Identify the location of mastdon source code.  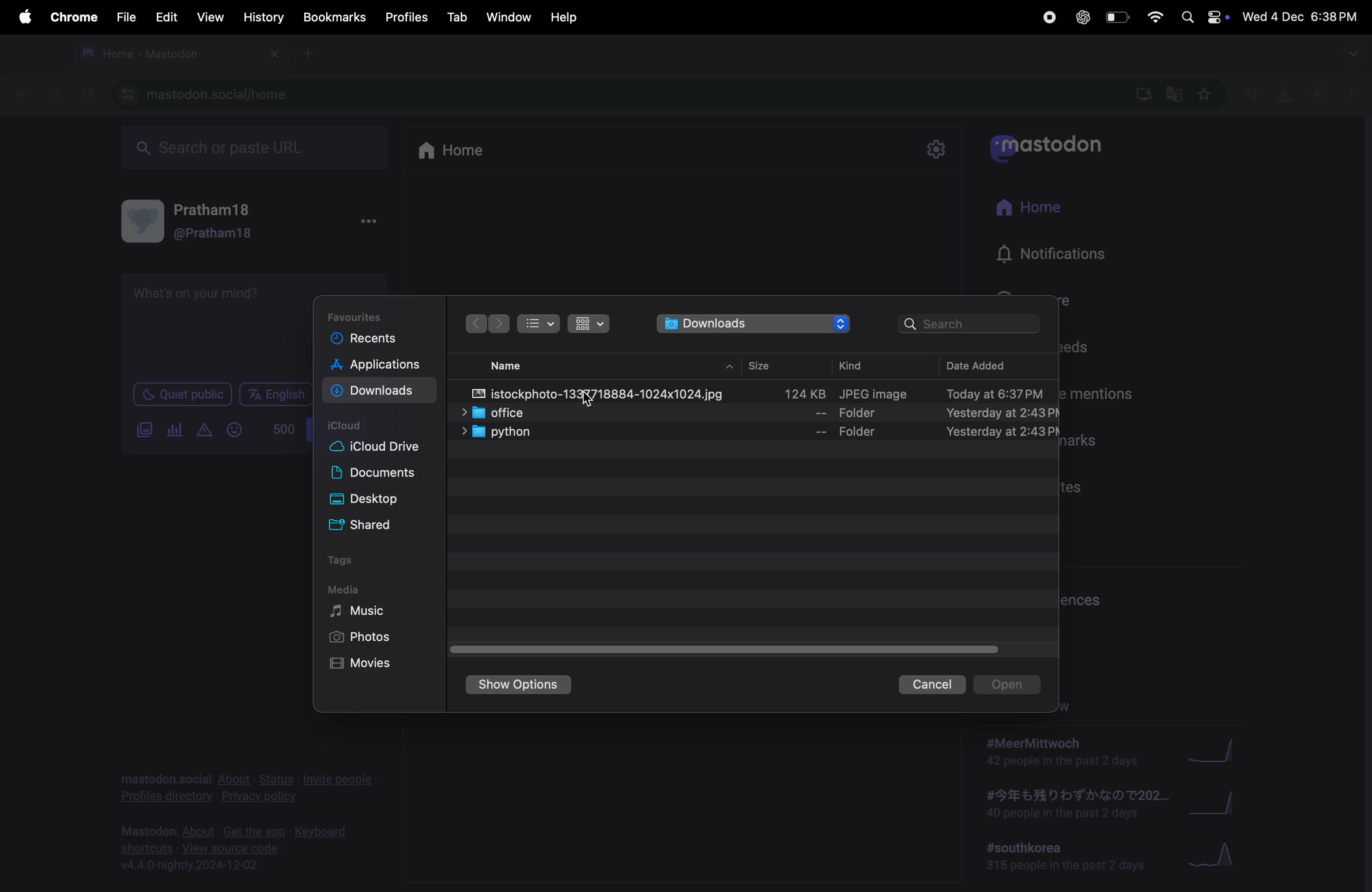
(240, 846).